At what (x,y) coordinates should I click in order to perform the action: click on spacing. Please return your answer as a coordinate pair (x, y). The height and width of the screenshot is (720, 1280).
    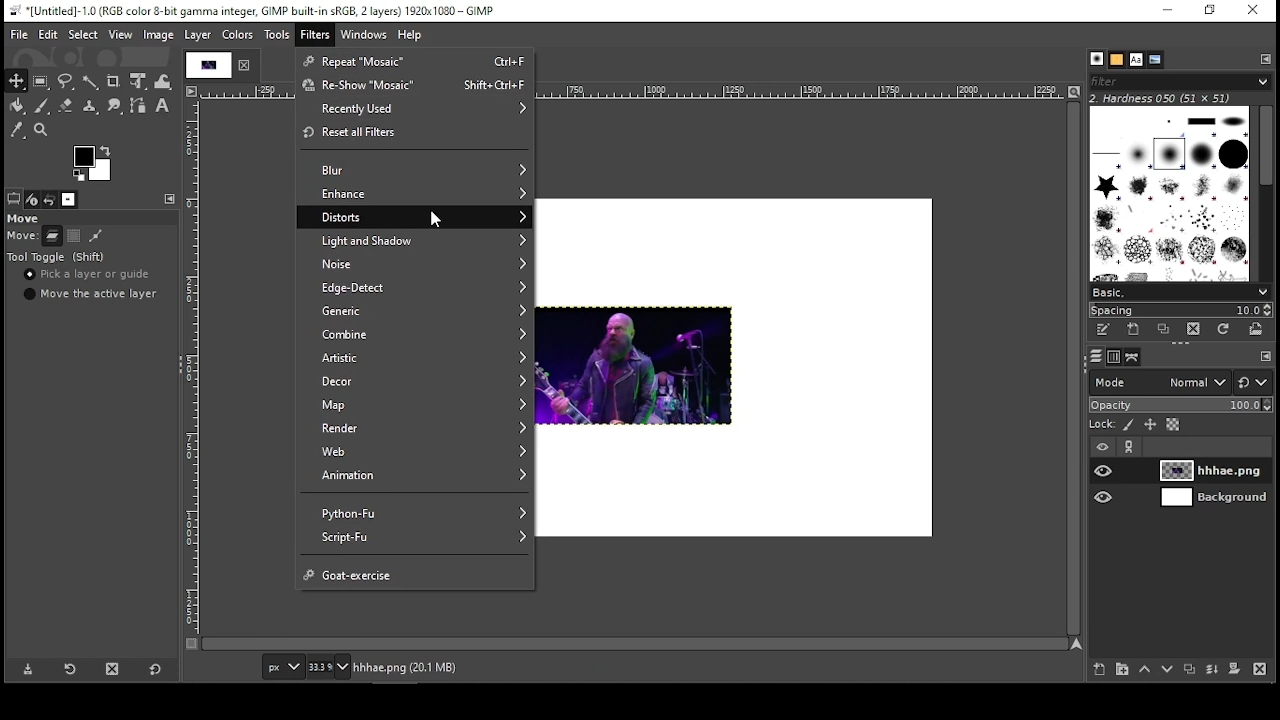
    Looking at the image, I should click on (1179, 310).